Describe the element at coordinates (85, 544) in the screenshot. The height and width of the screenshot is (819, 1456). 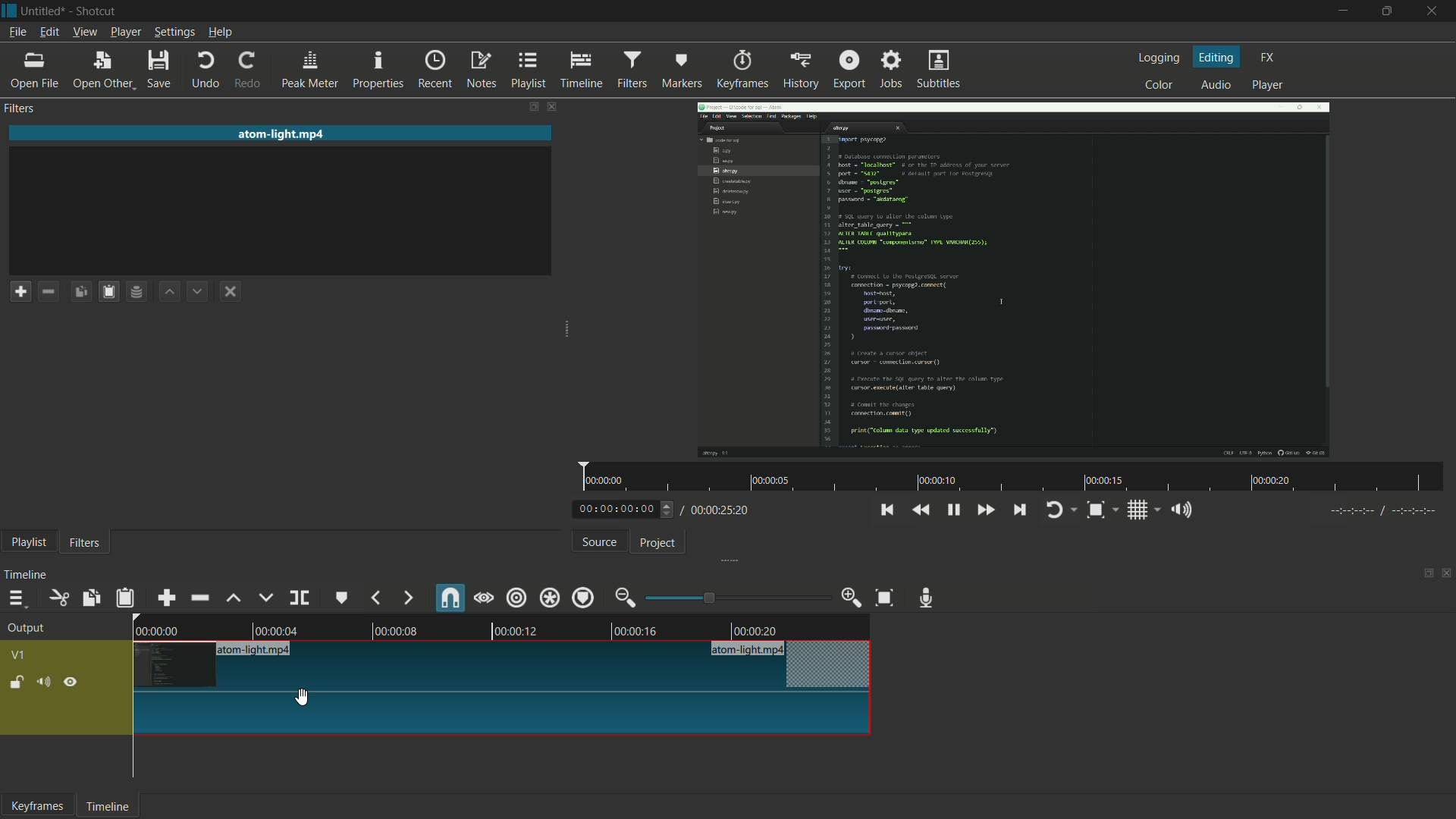
I see `filters` at that location.